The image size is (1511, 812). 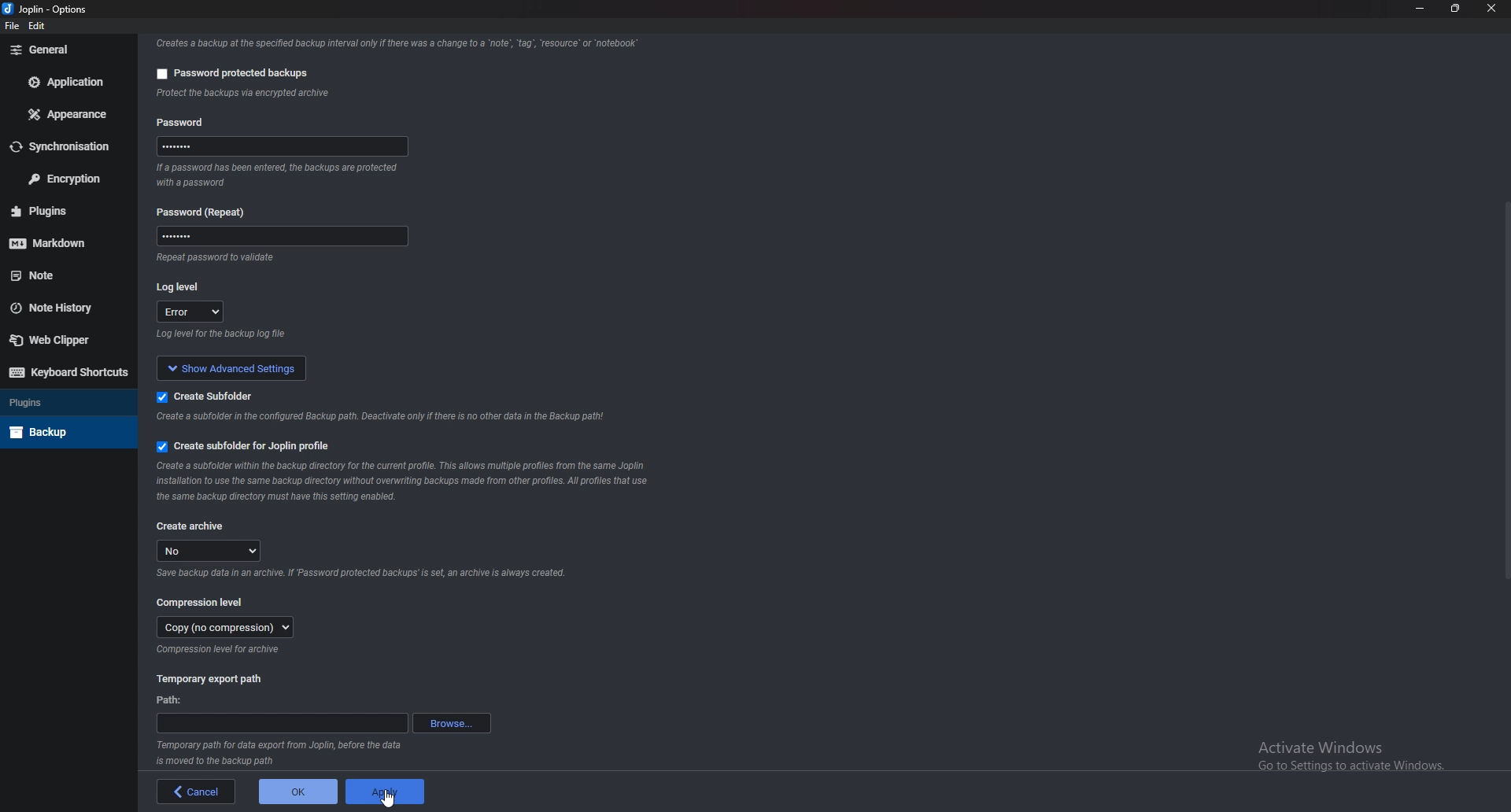 I want to click on info, so click(x=281, y=336).